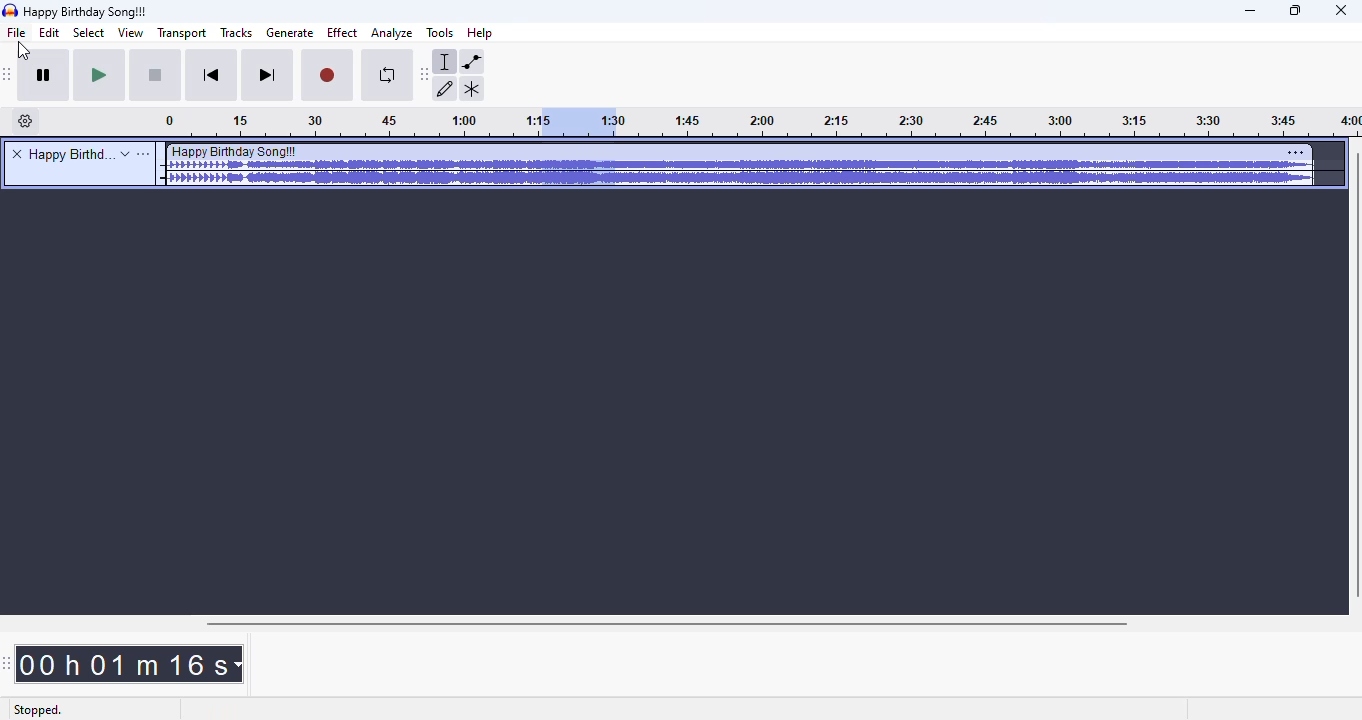  Describe the element at coordinates (439, 33) in the screenshot. I see `tools` at that location.